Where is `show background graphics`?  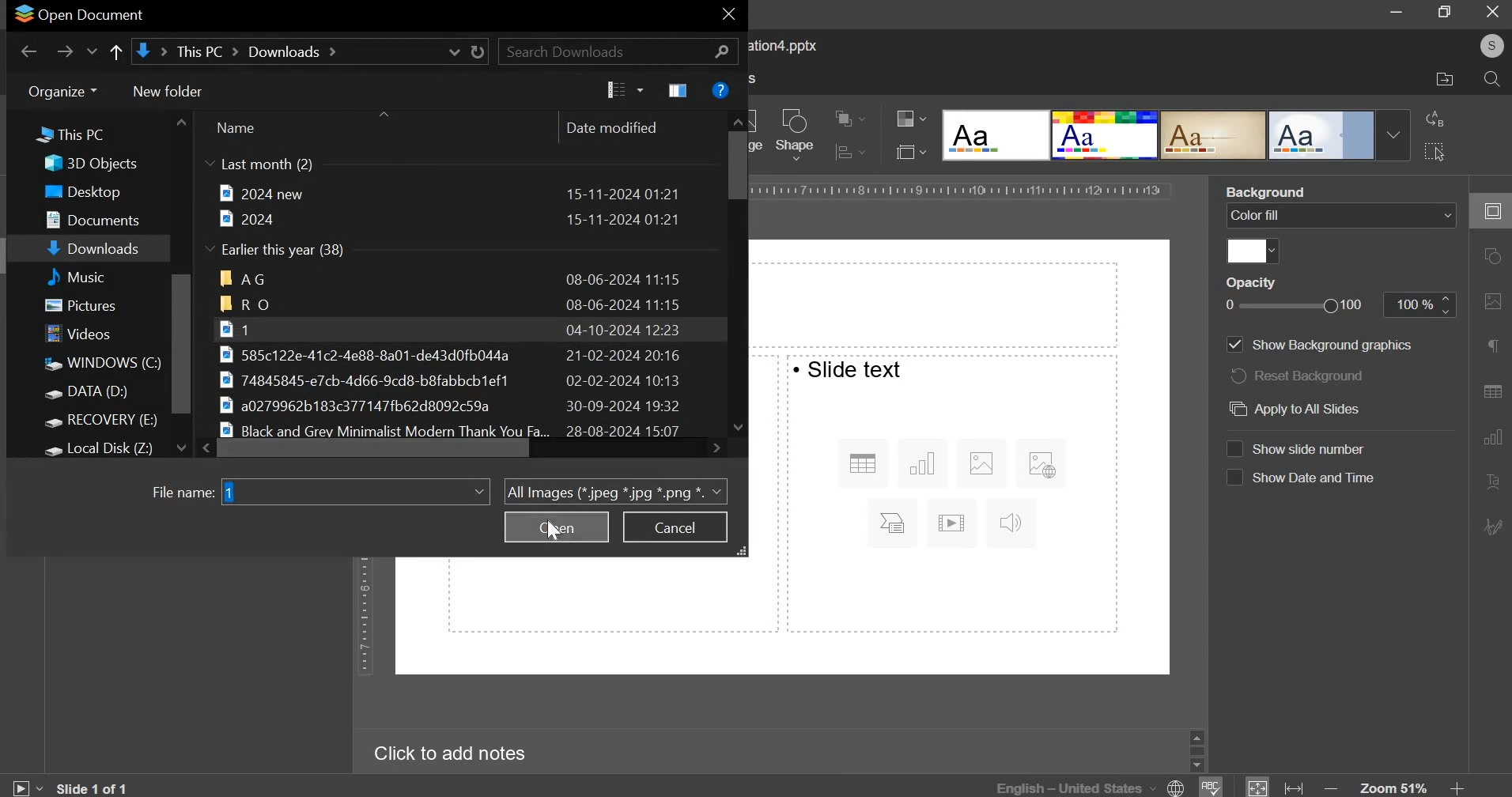 show background graphics is located at coordinates (1332, 346).